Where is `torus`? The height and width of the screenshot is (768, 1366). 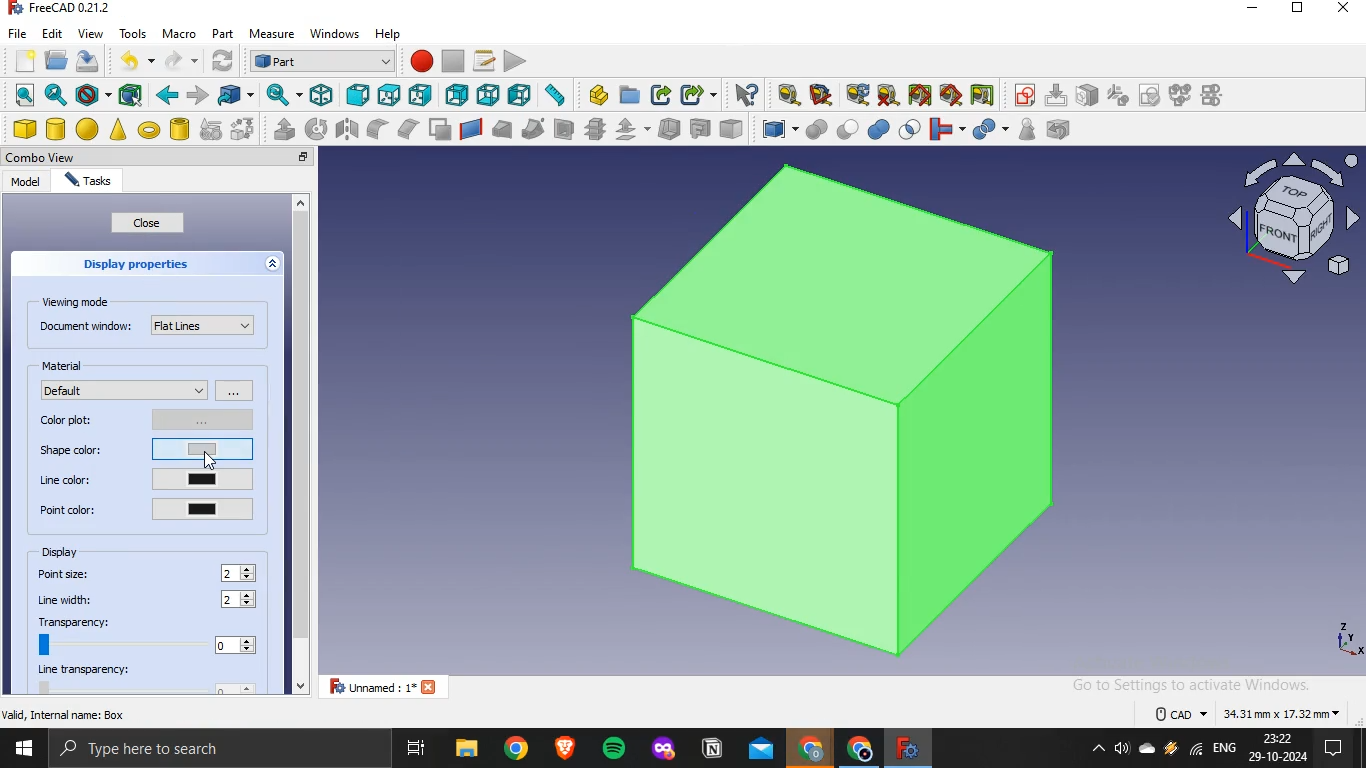
torus is located at coordinates (149, 130).